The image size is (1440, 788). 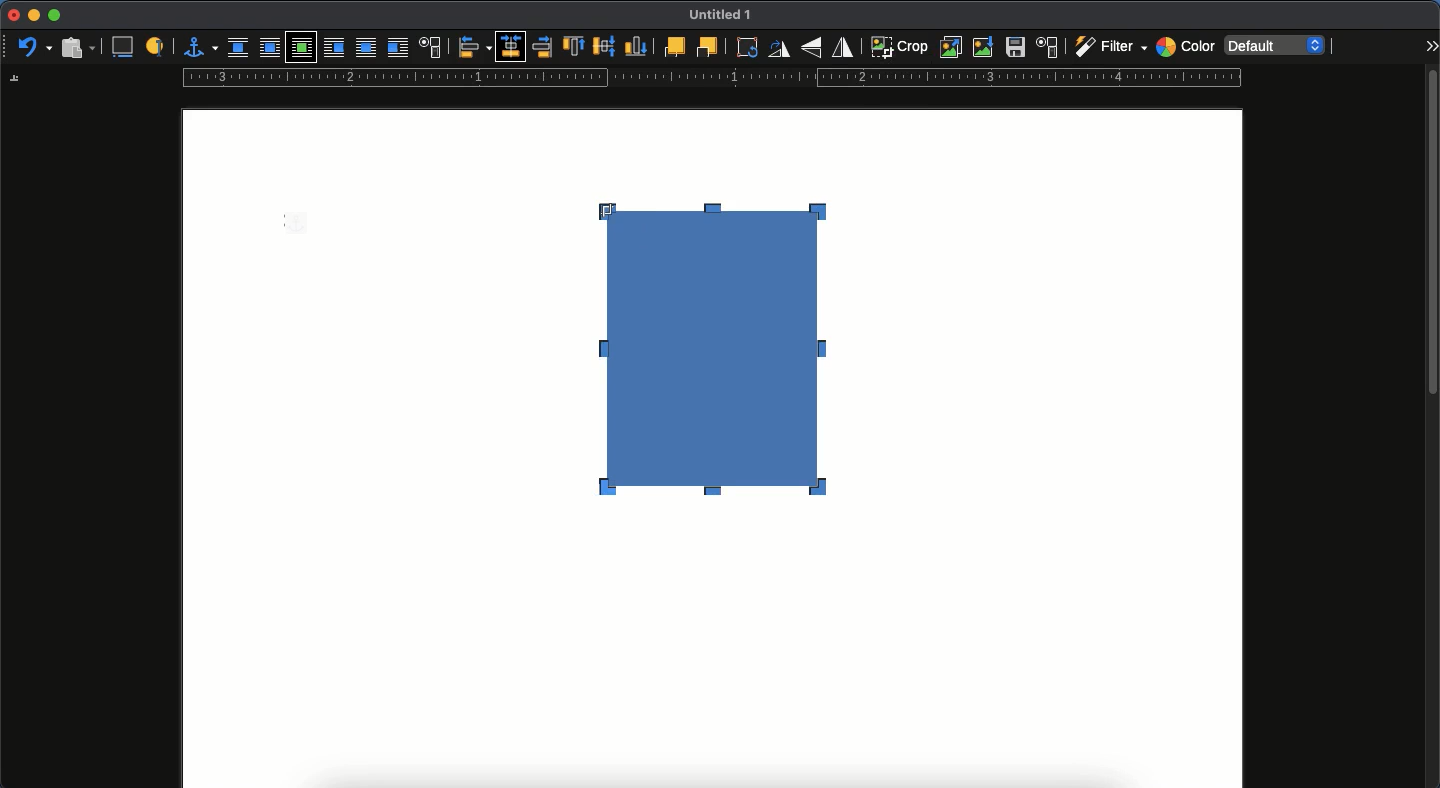 I want to click on rotate, so click(x=744, y=47).